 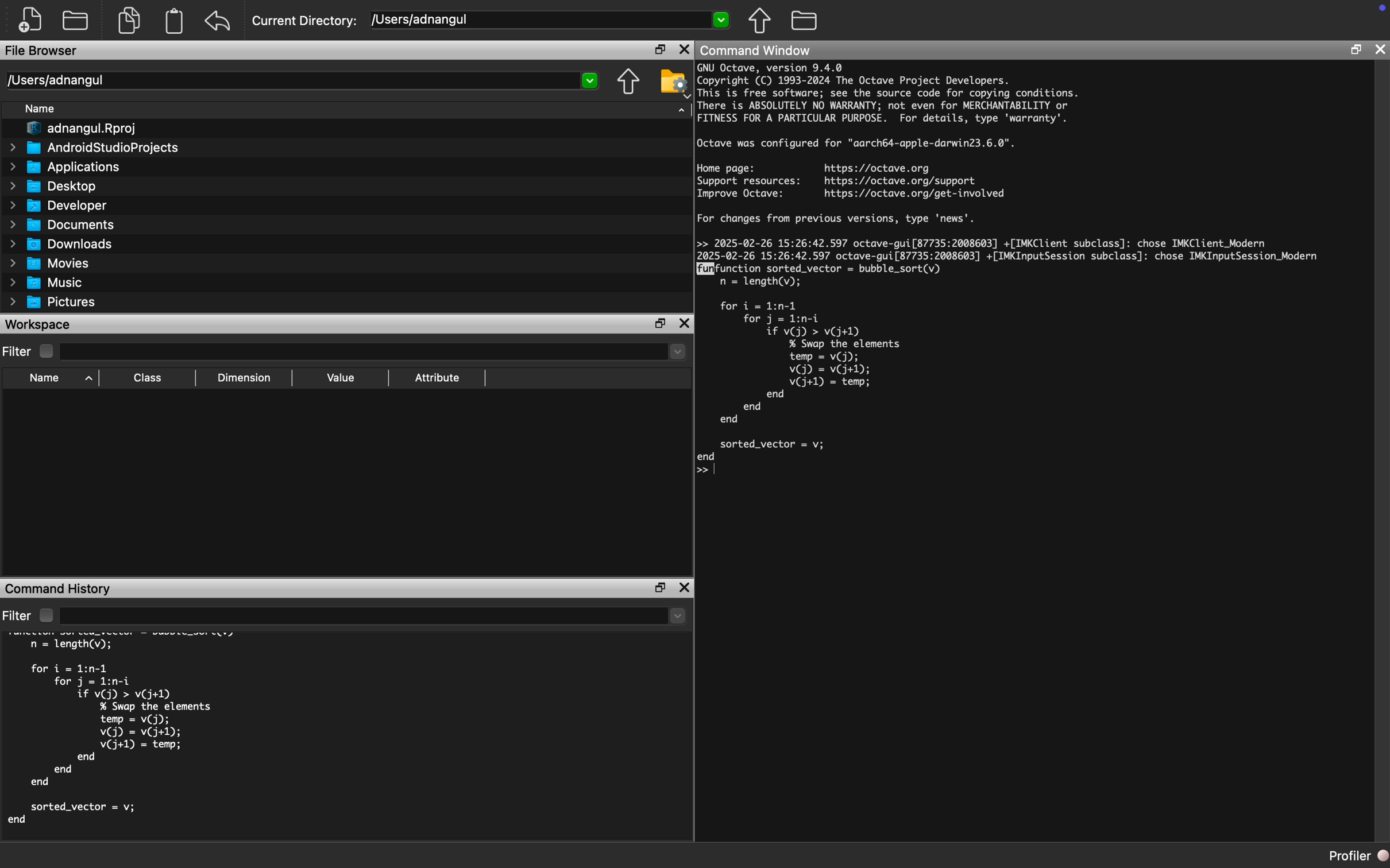 What do you see at coordinates (43, 51) in the screenshot?
I see `File Browser` at bounding box center [43, 51].